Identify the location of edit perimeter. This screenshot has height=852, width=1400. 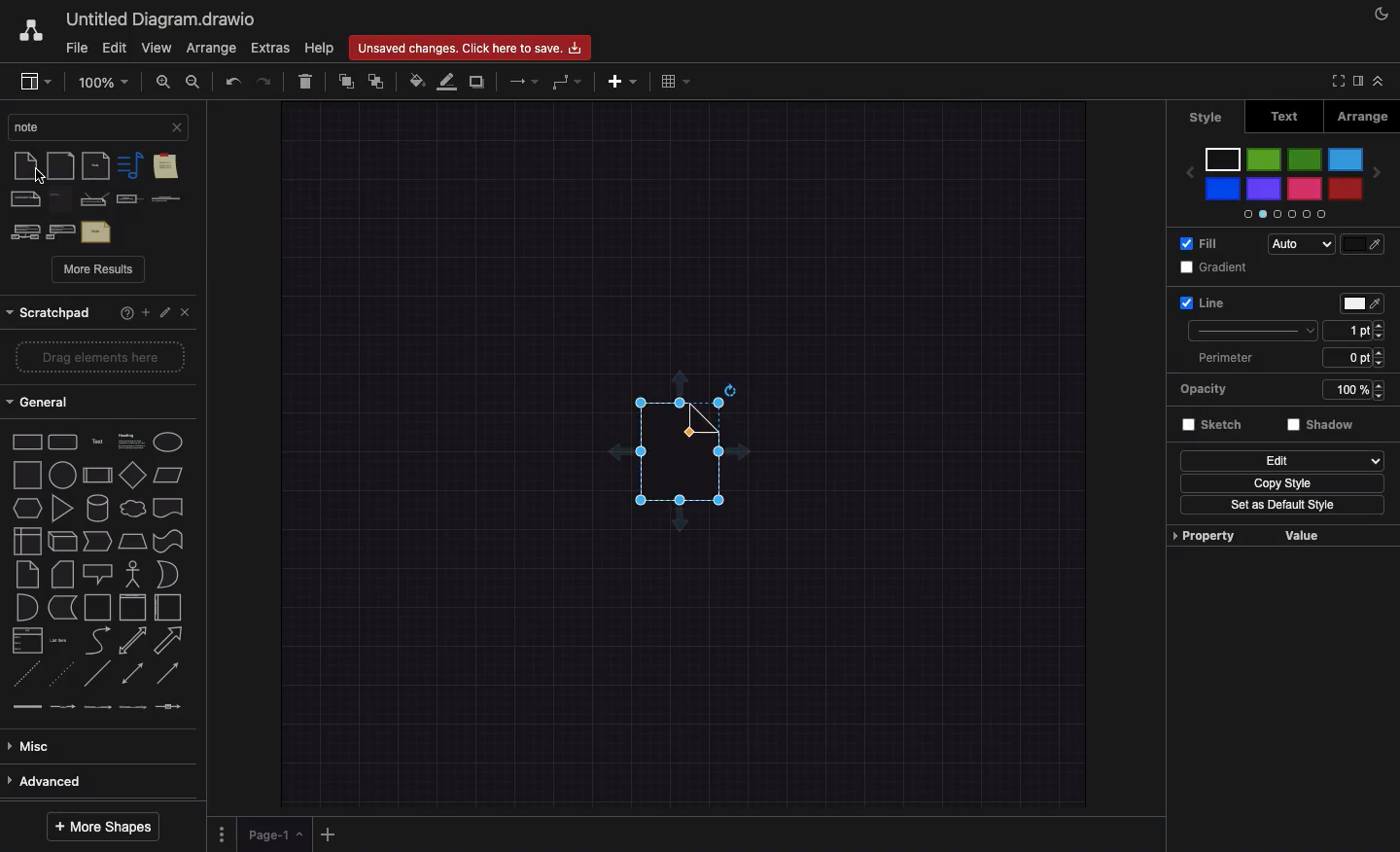
(1347, 357).